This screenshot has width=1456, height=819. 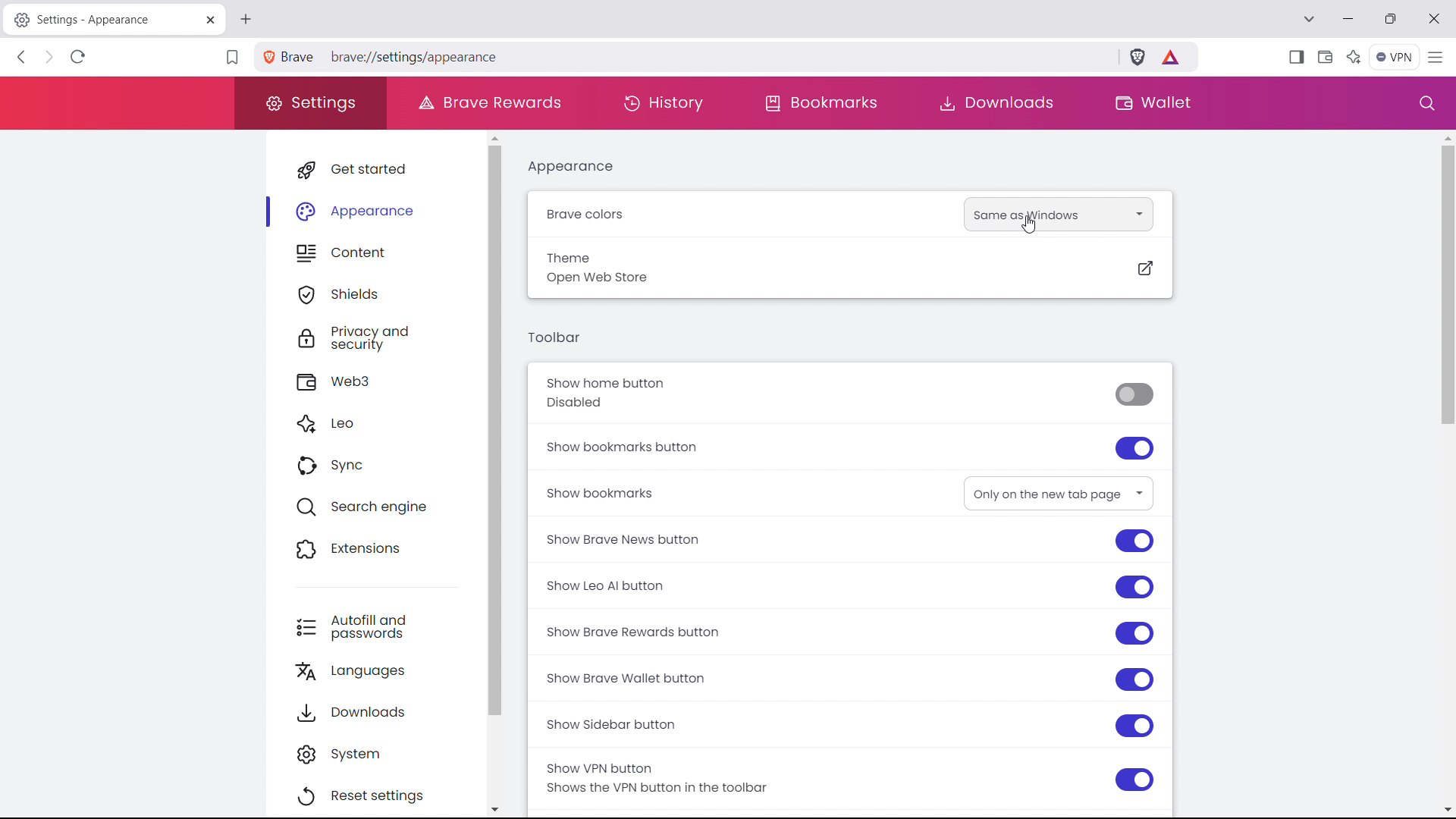 What do you see at coordinates (1446, 808) in the screenshot?
I see `scroll down` at bounding box center [1446, 808].